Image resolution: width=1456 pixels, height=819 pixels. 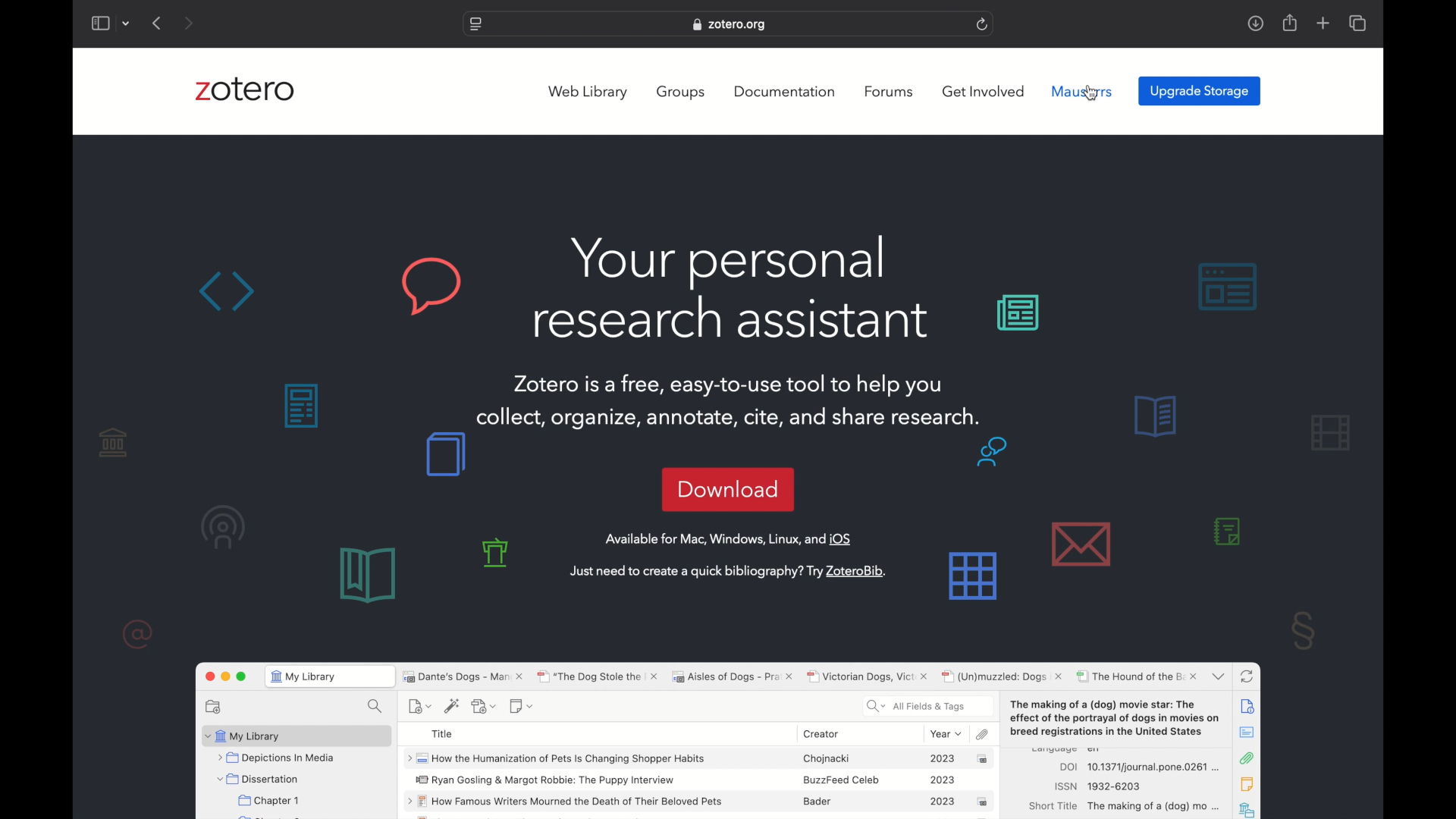 What do you see at coordinates (244, 89) in the screenshot?
I see `zotero` at bounding box center [244, 89].